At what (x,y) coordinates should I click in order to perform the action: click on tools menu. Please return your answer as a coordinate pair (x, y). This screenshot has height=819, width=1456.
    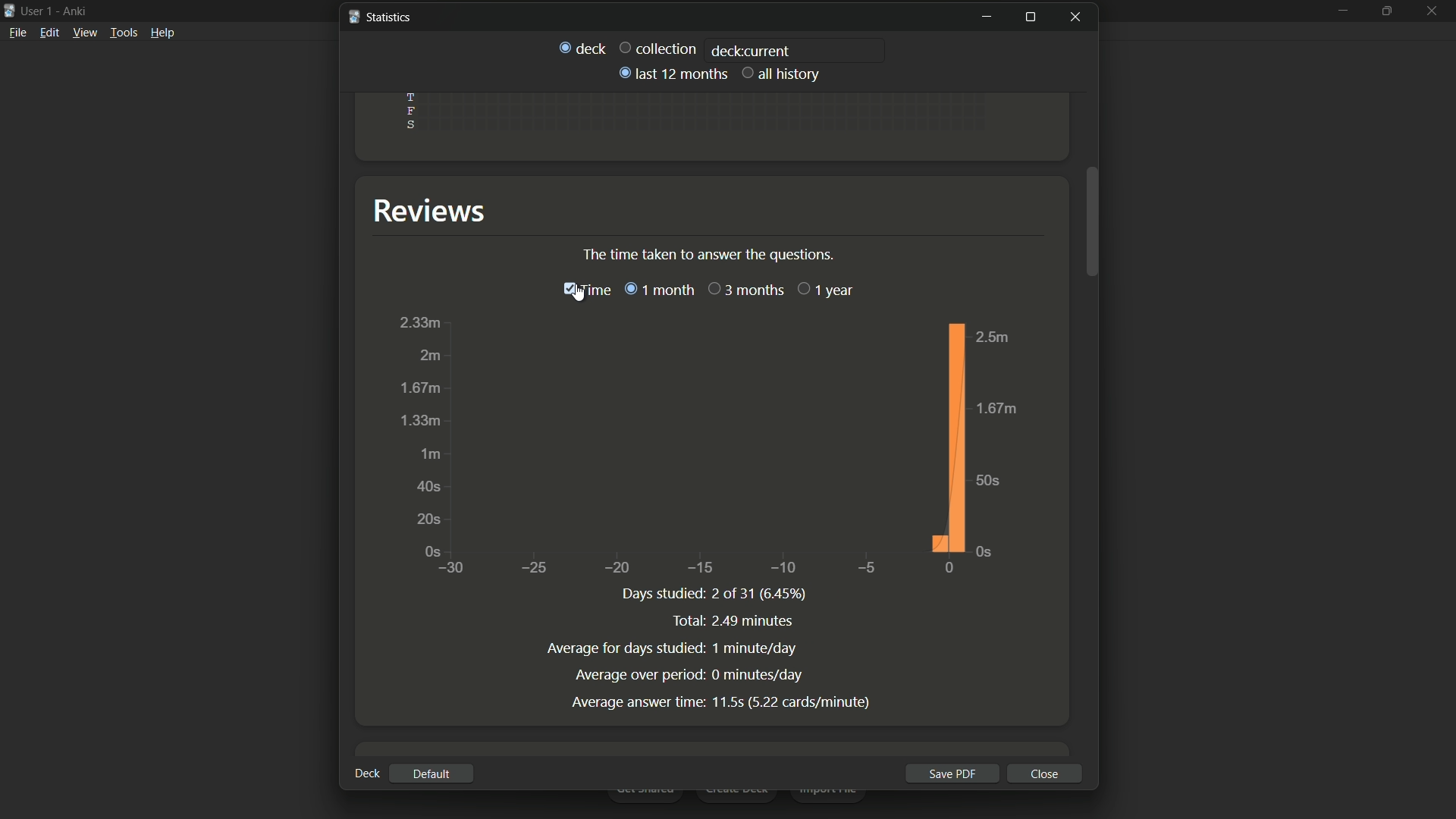
    Looking at the image, I should click on (124, 32).